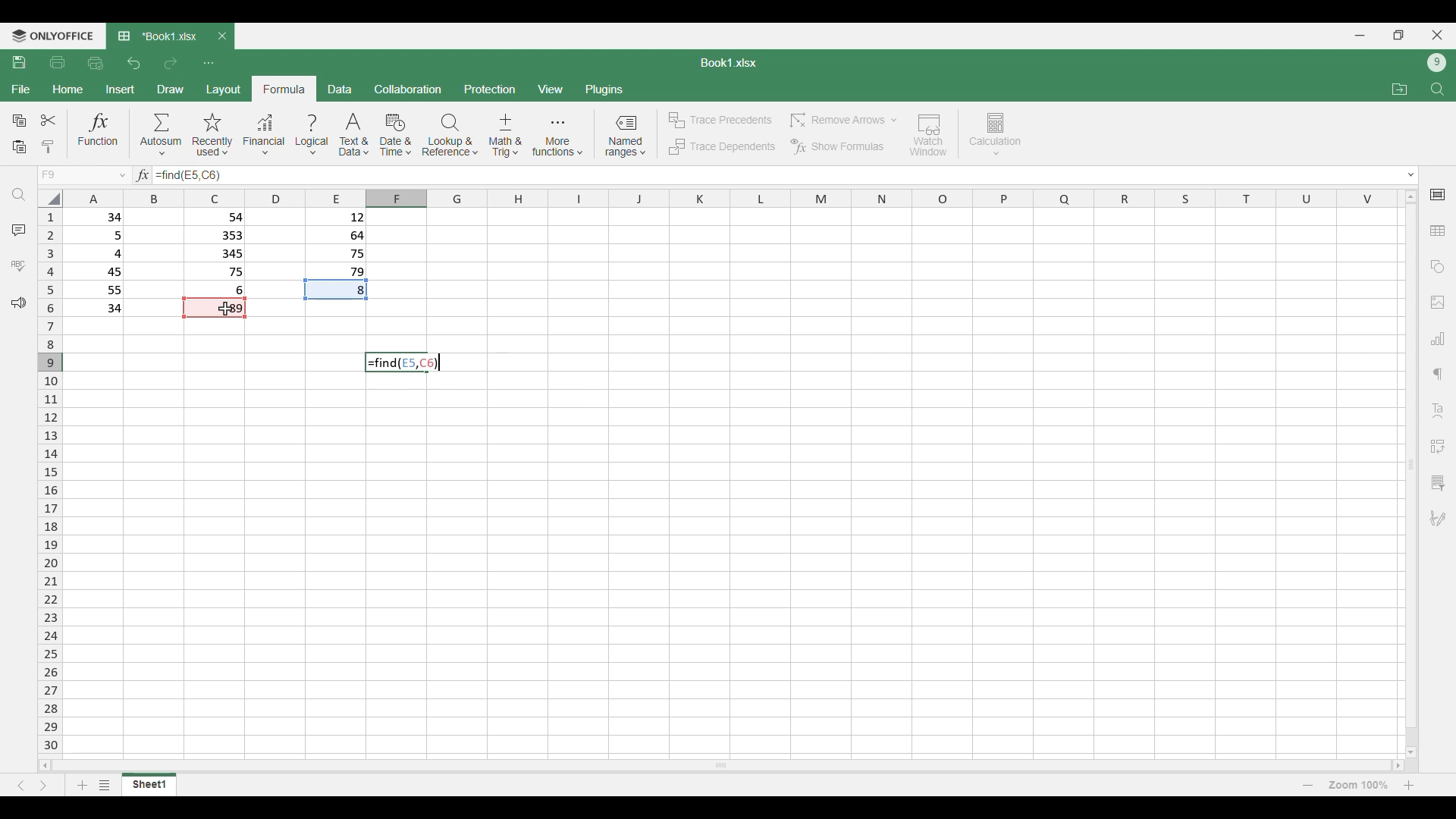  Describe the element at coordinates (409, 89) in the screenshot. I see `Collaboration menu` at that location.